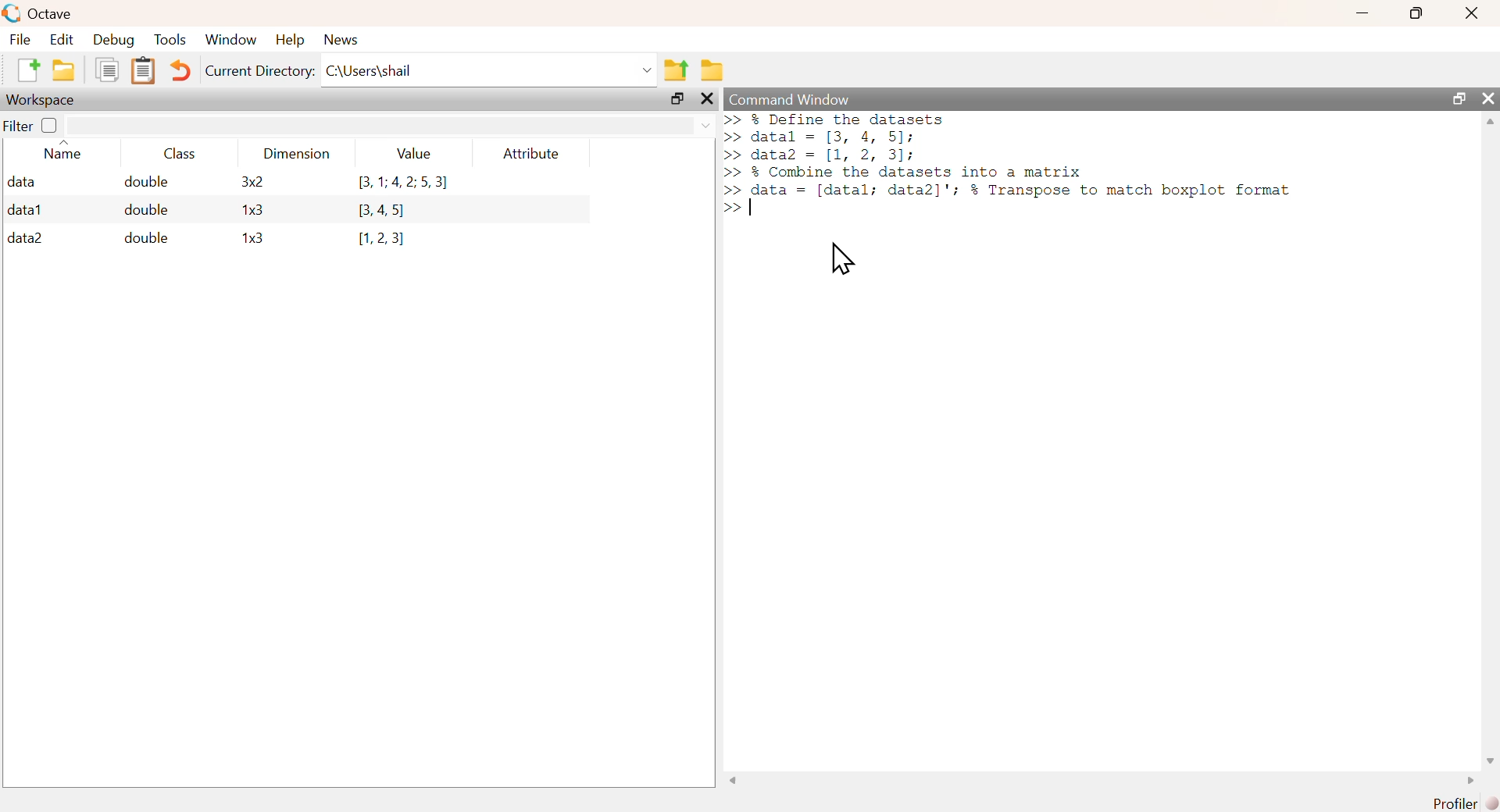  What do you see at coordinates (402, 183) in the screenshot?
I see `[3.1:4,2:5,3]` at bounding box center [402, 183].